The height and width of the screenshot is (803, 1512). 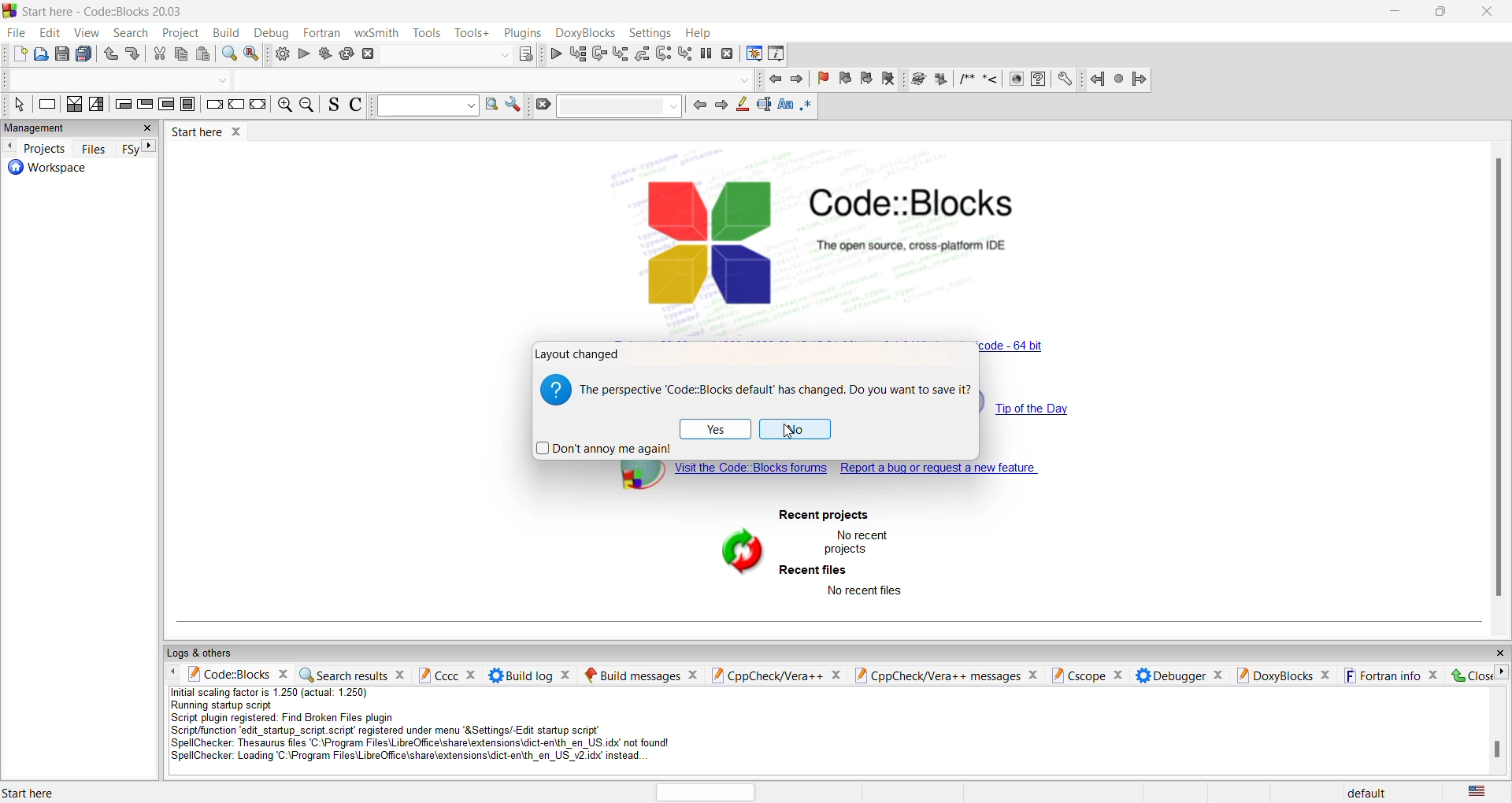 I want to click on toggle source, so click(x=333, y=105).